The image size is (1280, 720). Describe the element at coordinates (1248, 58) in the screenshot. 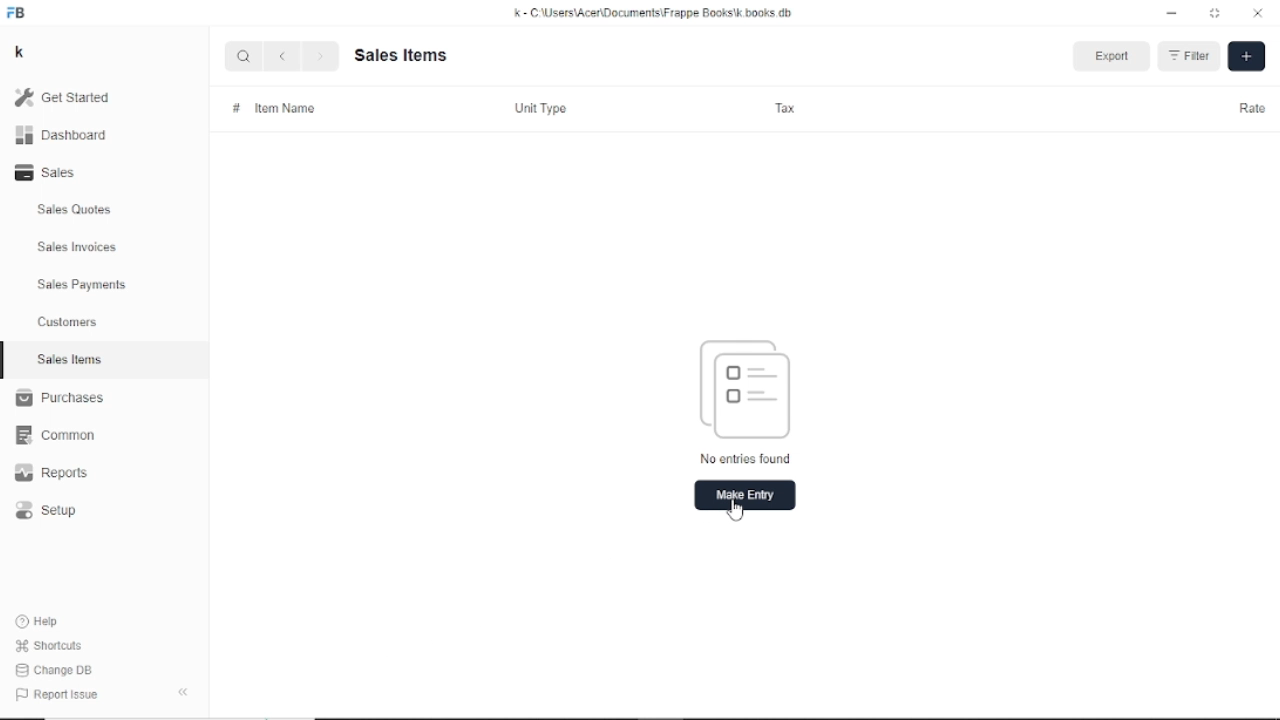

I see `Add item` at that location.